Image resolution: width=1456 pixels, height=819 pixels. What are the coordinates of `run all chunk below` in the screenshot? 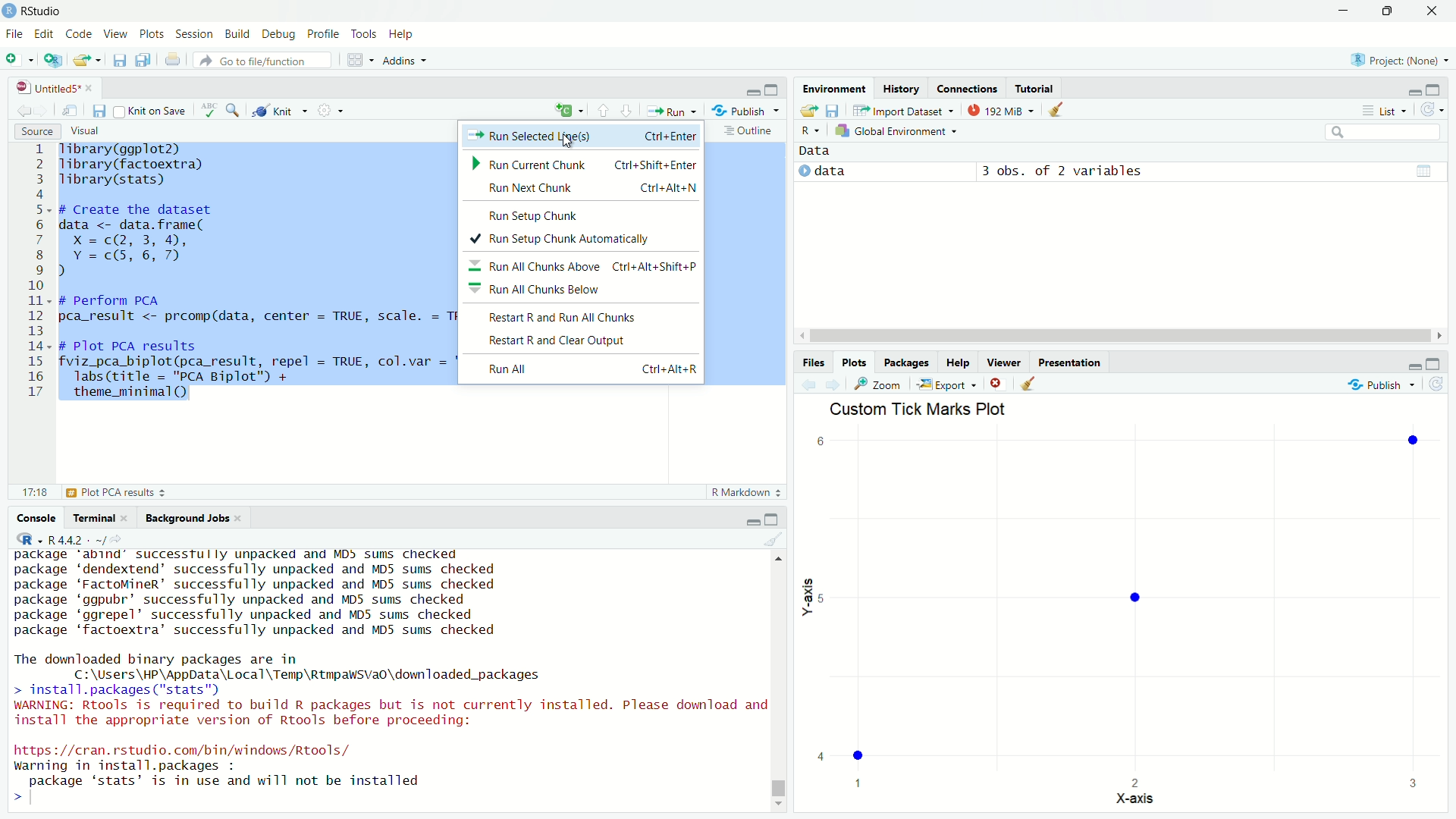 It's located at (582, 289).